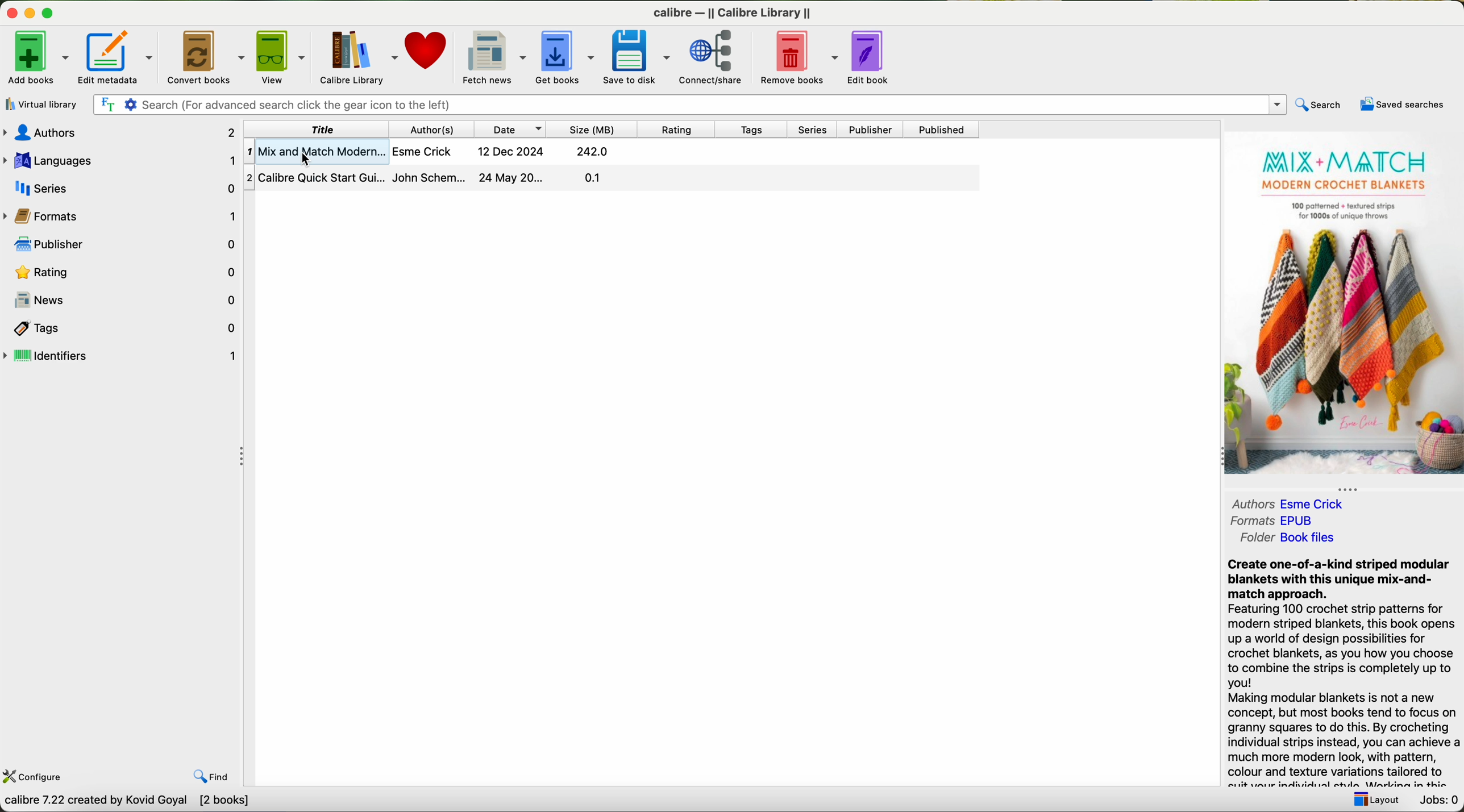  I want to click on layout, so click(1374, 799).